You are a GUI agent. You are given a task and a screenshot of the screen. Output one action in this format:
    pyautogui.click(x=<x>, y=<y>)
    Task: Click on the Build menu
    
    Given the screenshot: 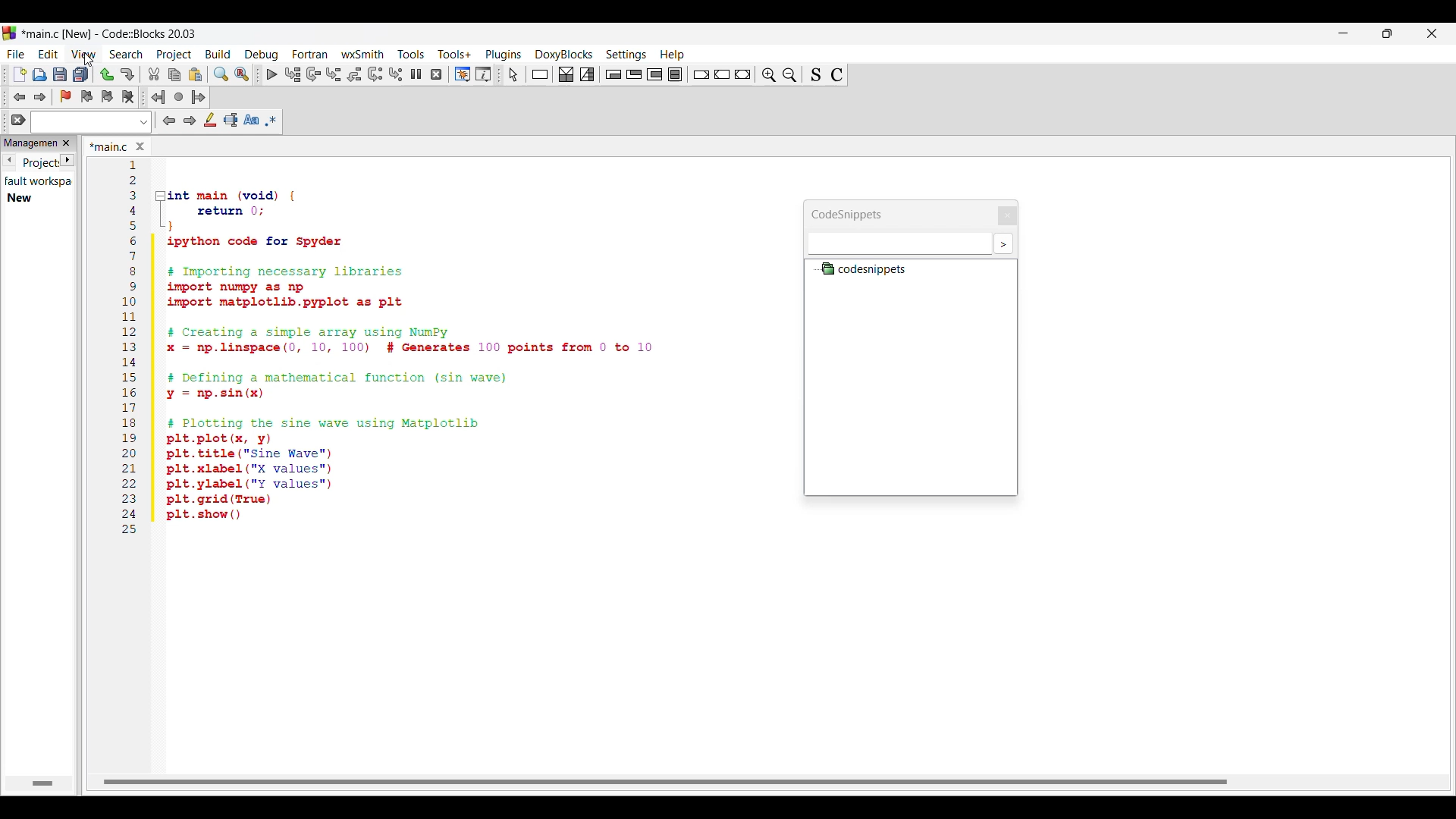 What is the action you would take?
    pyautogui.click(x=218, y=54)
    